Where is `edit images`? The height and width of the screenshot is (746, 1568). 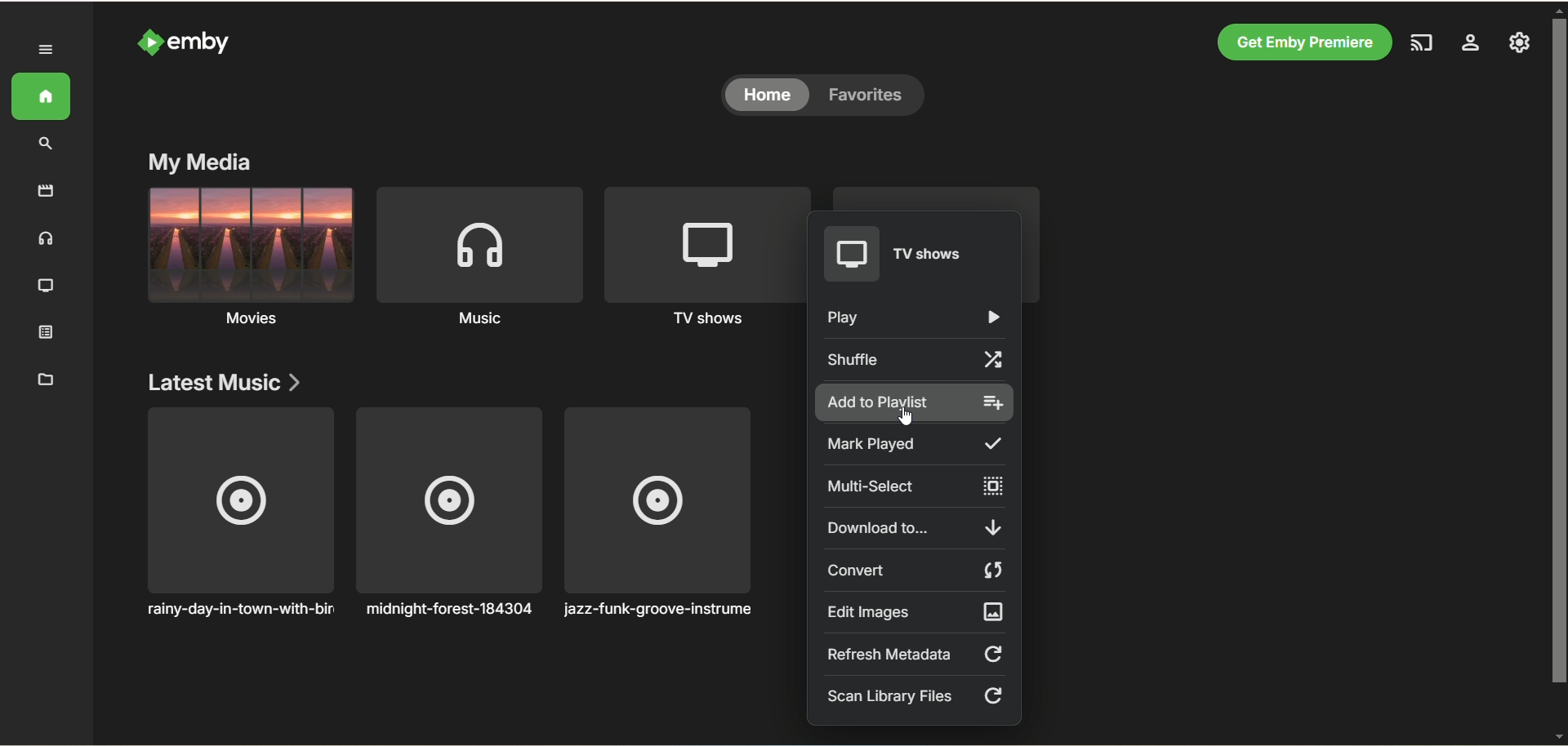 edit images is located at coordinates (914, 611).